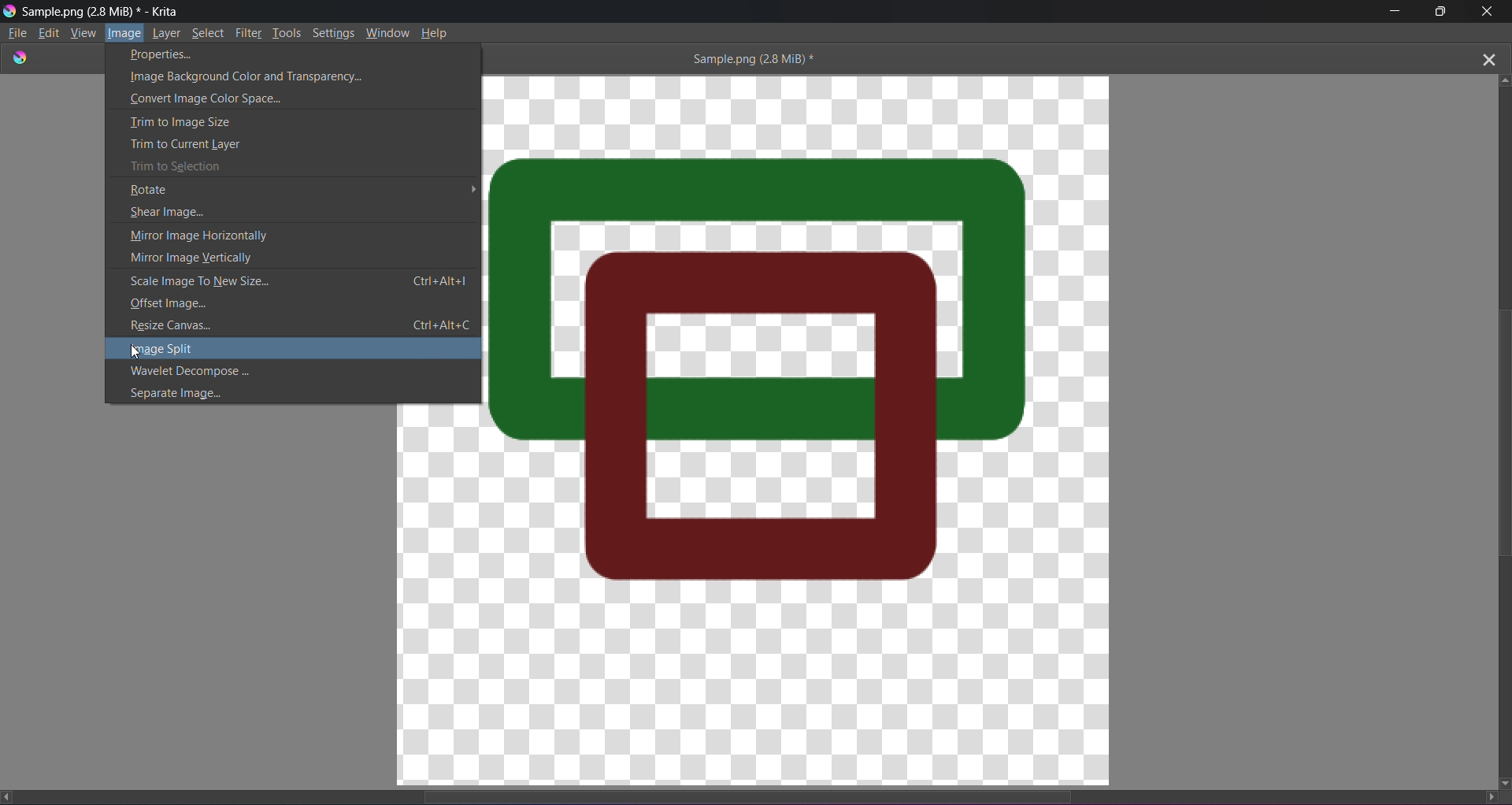 The image size is (1512, 805). What do you see at coordinates (1392, 12) in the screenshot?
I see `MInimize` at bounding box center [1392, 12].